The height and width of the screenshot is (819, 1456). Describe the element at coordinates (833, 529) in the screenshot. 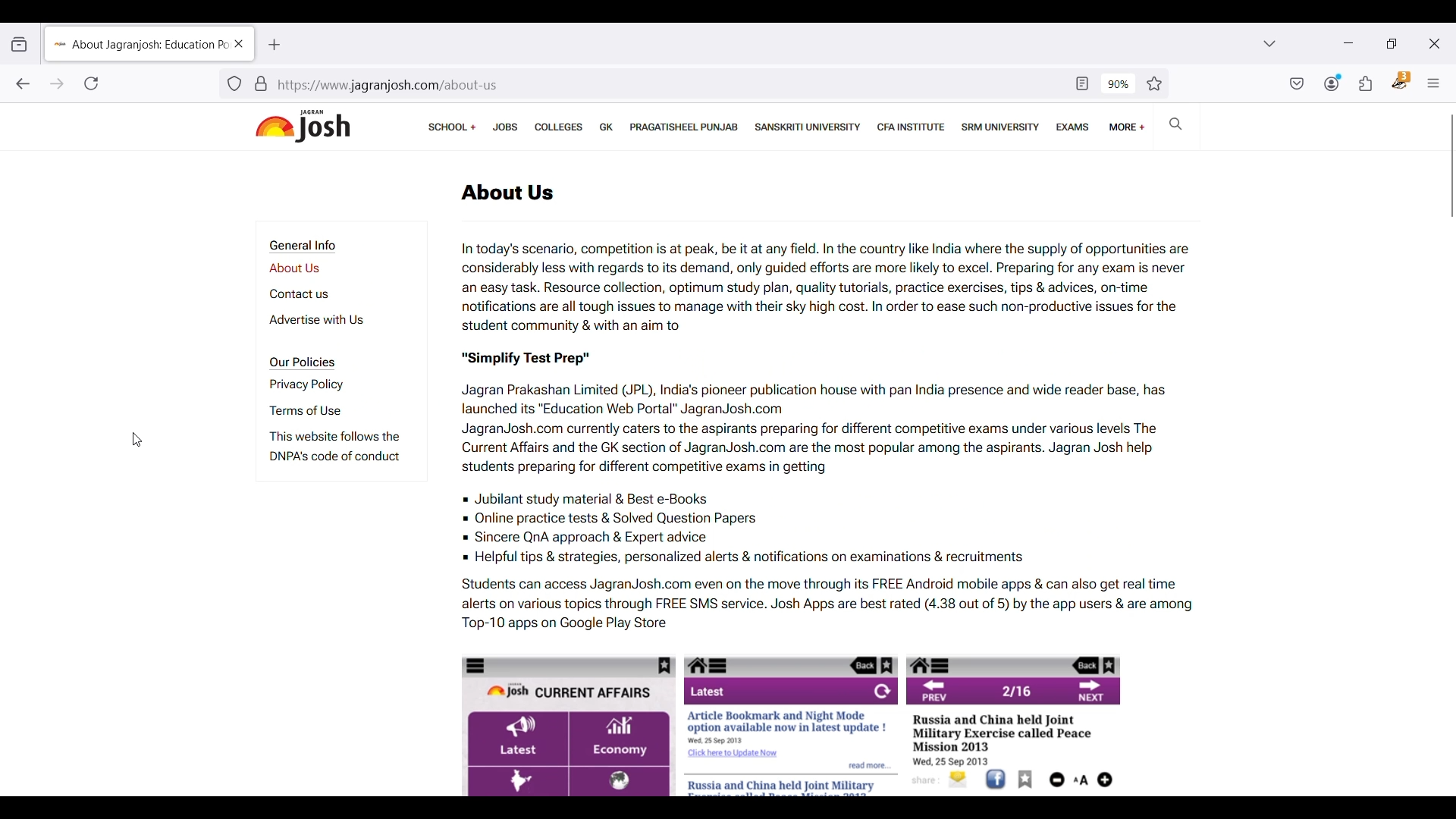

I see `Jubilant study material & Best e-Books

Online practice tests & Solved Question Papers

Sincere QnA approach & Expert advice

Helpful tips & strategies, personalized alerts & notifications on examinations & recruitments` at that location.